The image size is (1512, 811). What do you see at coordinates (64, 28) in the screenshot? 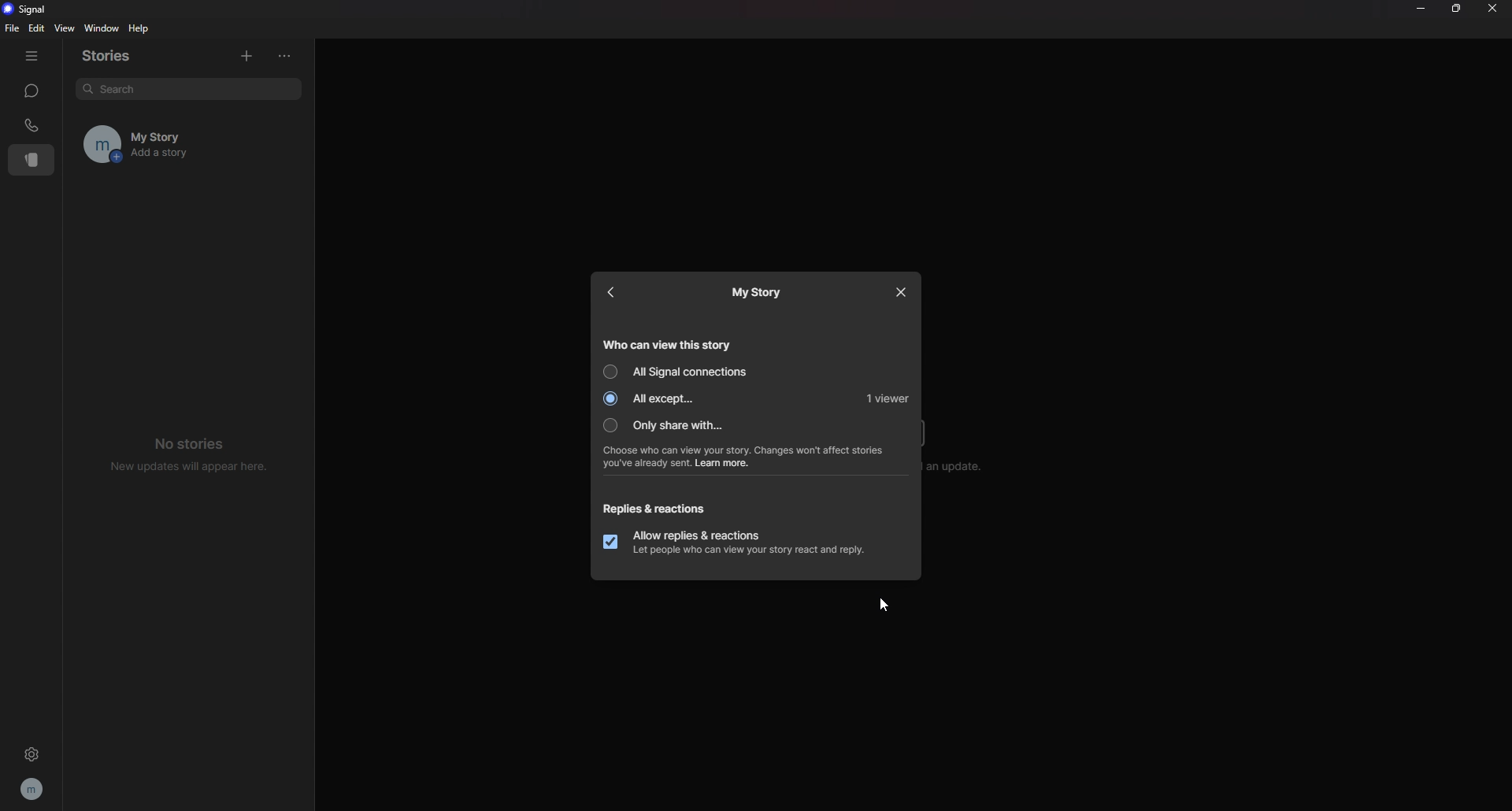
I see `view` at bounding box center [64, 28].